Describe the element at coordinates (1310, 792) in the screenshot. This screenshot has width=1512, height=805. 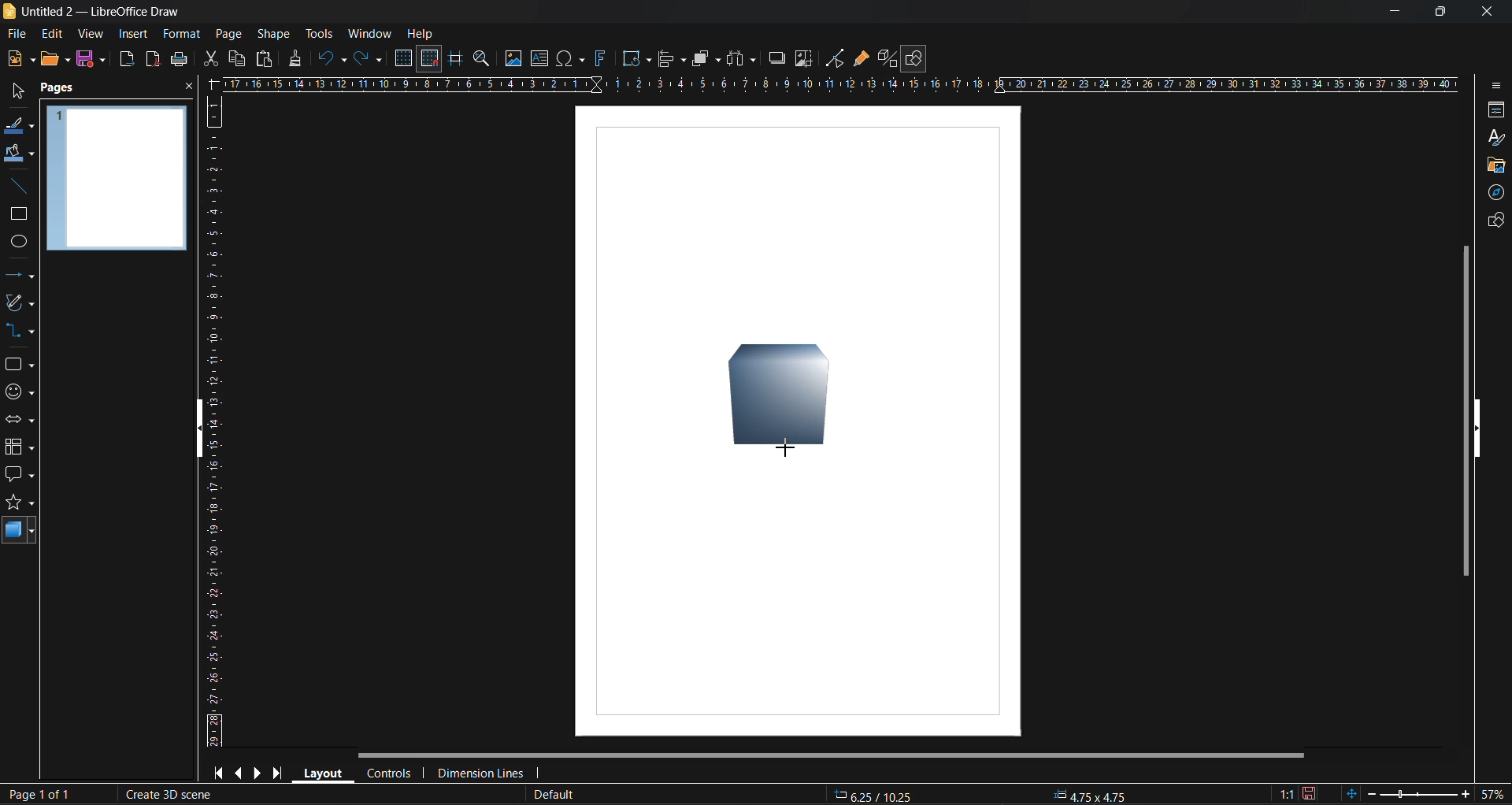
I see `click to save` at that location.